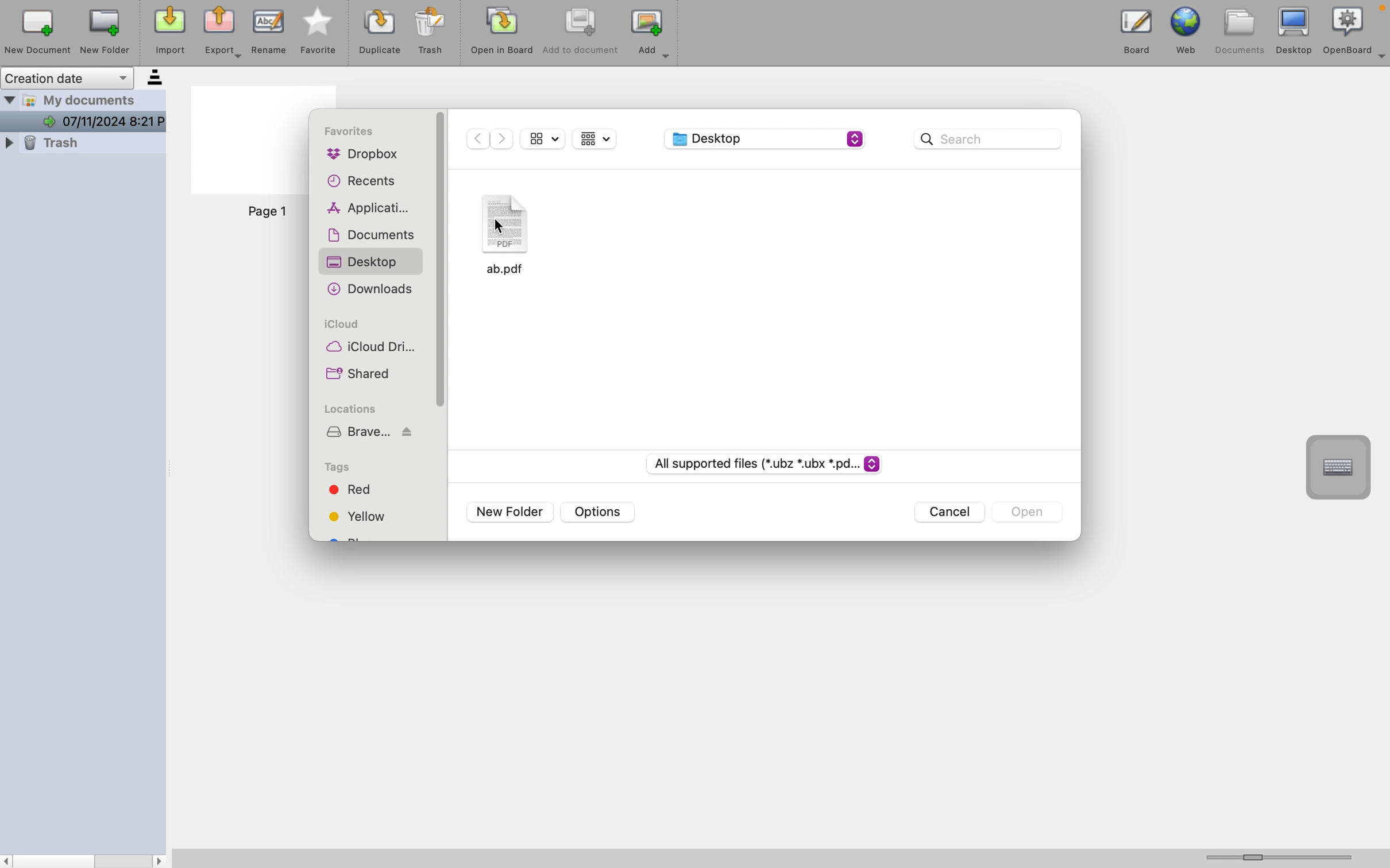 Image resolution: width=1390 pixels, height=868 pixels. Describe the element at coordinates (367, 348) in the screenshot. I see `icloud drive` at that location.